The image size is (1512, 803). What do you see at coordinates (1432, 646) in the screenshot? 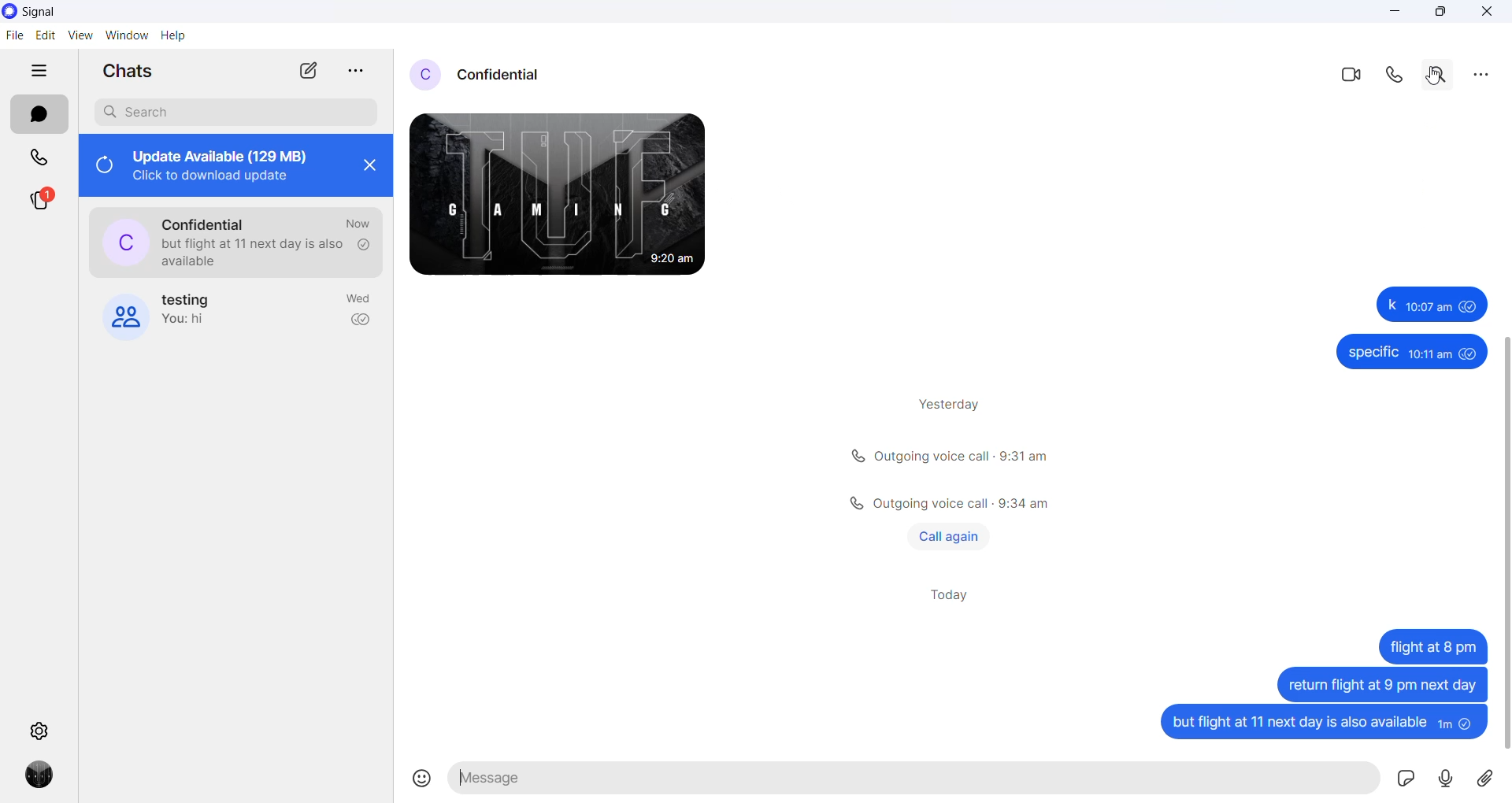
I see `` at bounding box center [1432, 646].